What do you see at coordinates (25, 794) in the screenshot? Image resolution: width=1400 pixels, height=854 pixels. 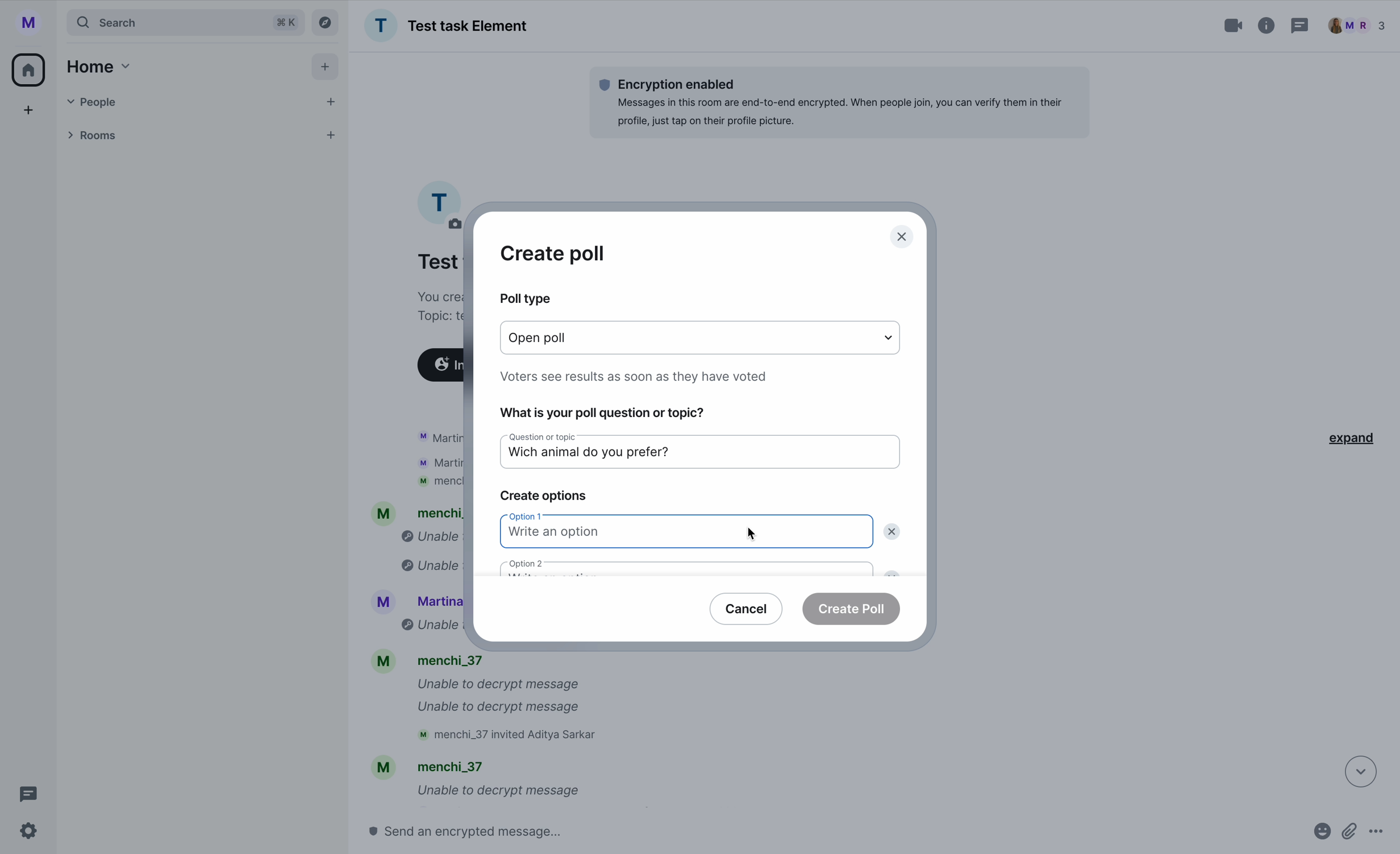 I see `threads` at bounding box center [25, 794].